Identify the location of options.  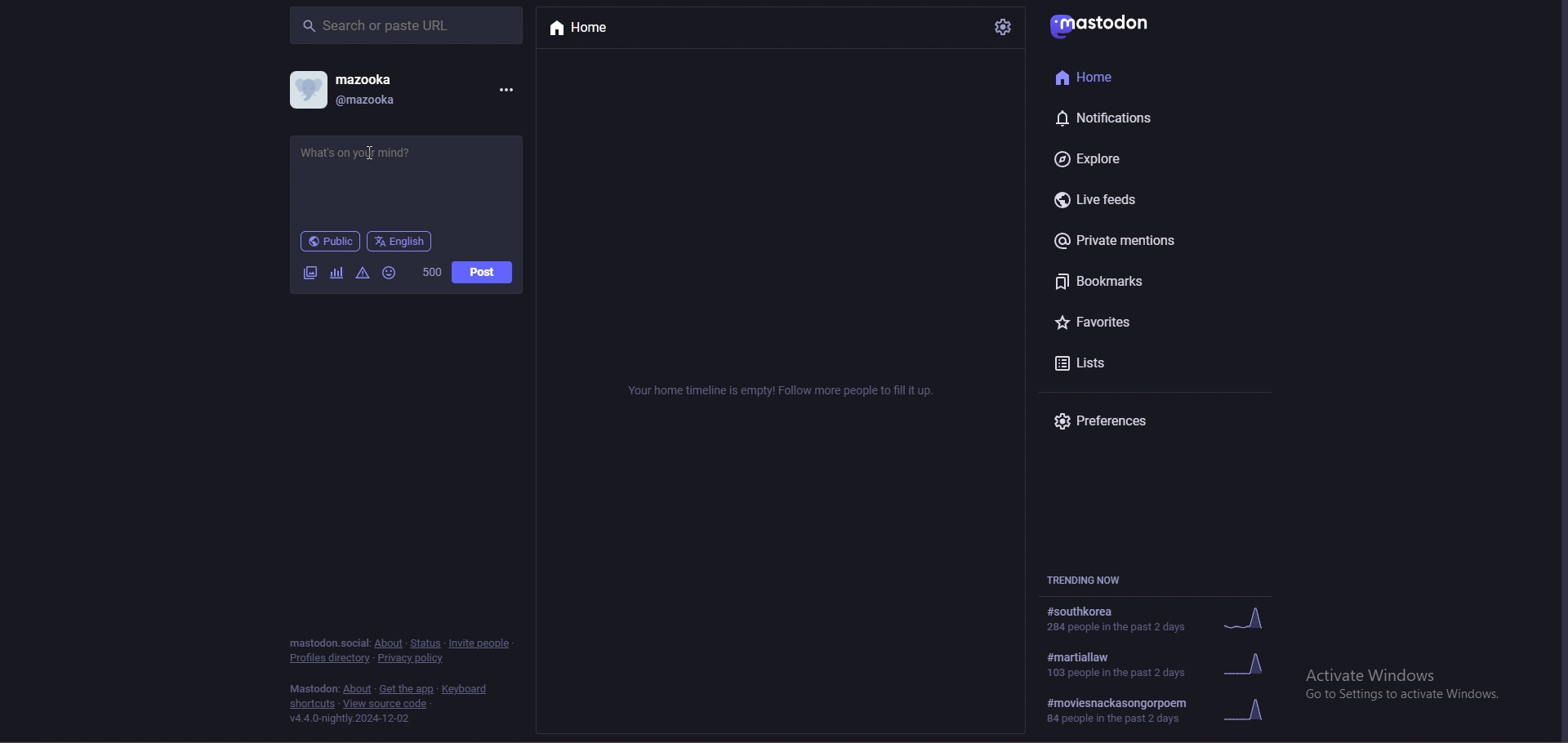
(510, 89).